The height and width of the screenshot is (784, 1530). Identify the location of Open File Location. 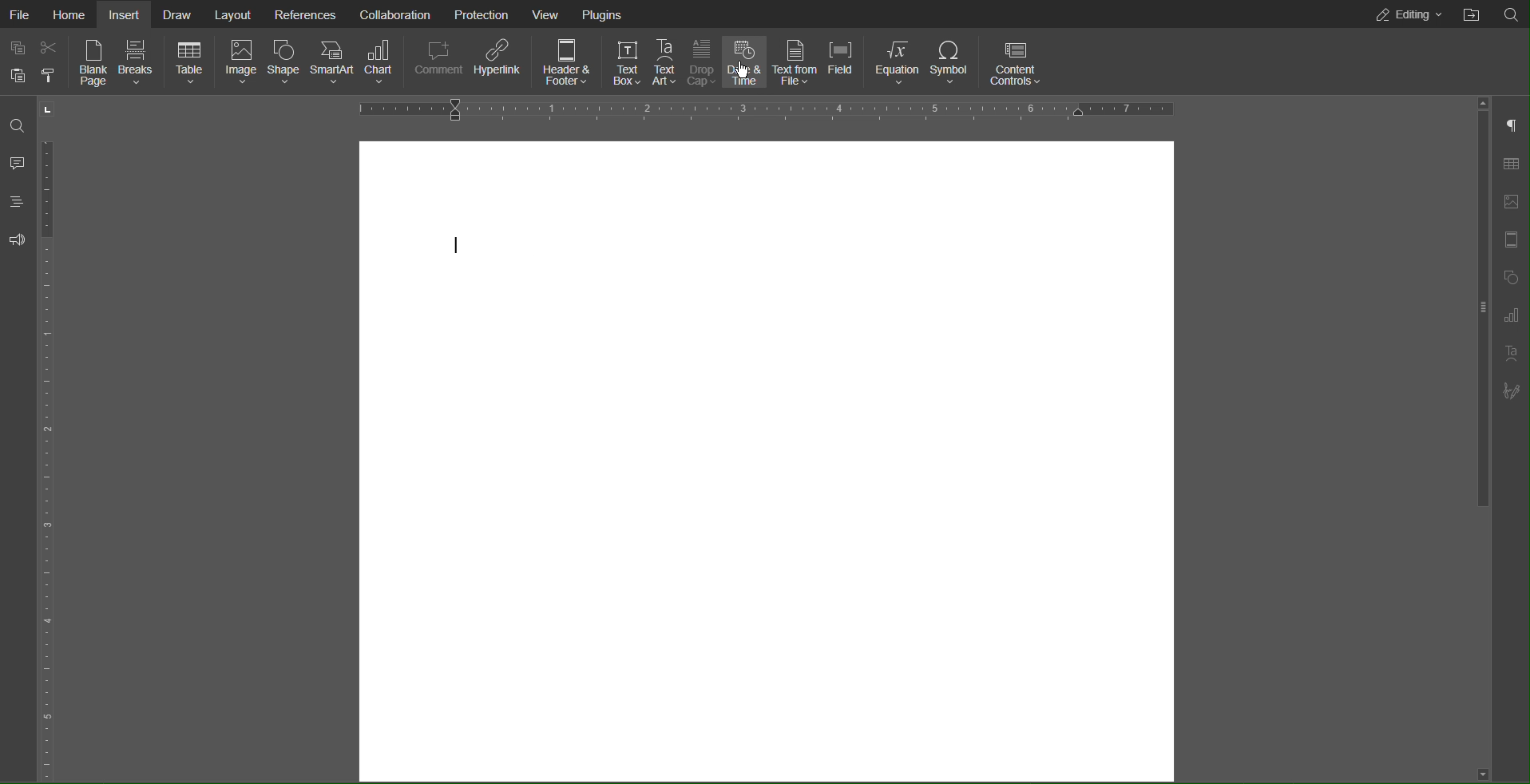
(1471, 14).